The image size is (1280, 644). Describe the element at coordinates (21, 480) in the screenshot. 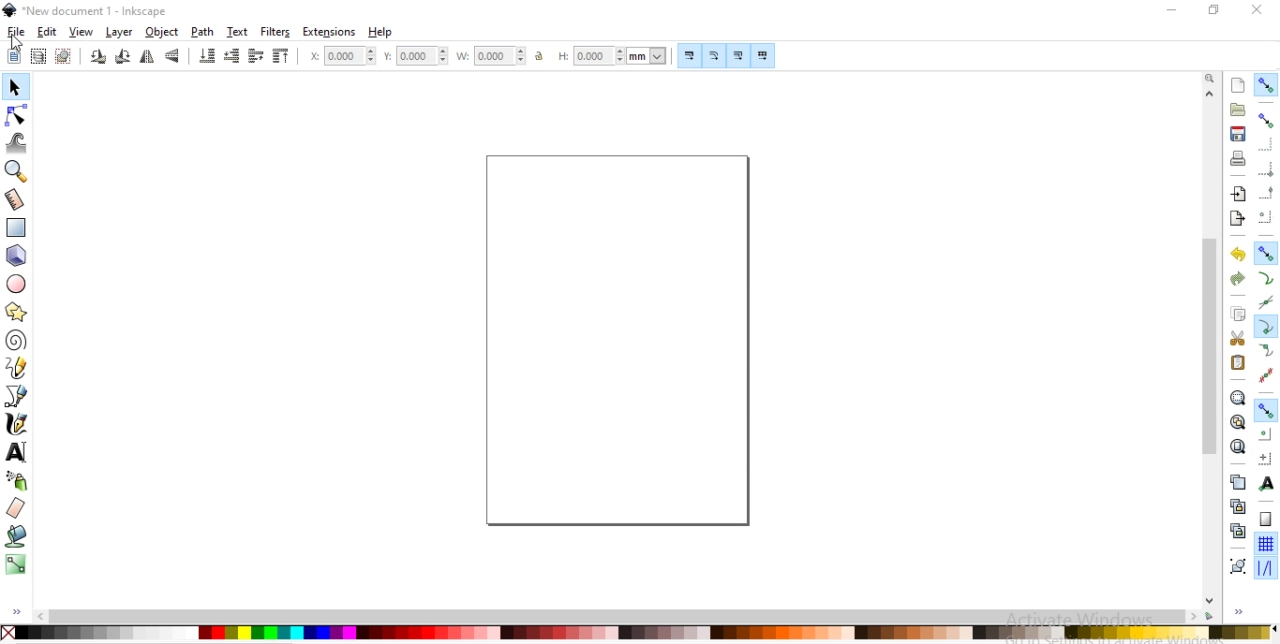

I see `spray objects by sculping or painting` at that location.